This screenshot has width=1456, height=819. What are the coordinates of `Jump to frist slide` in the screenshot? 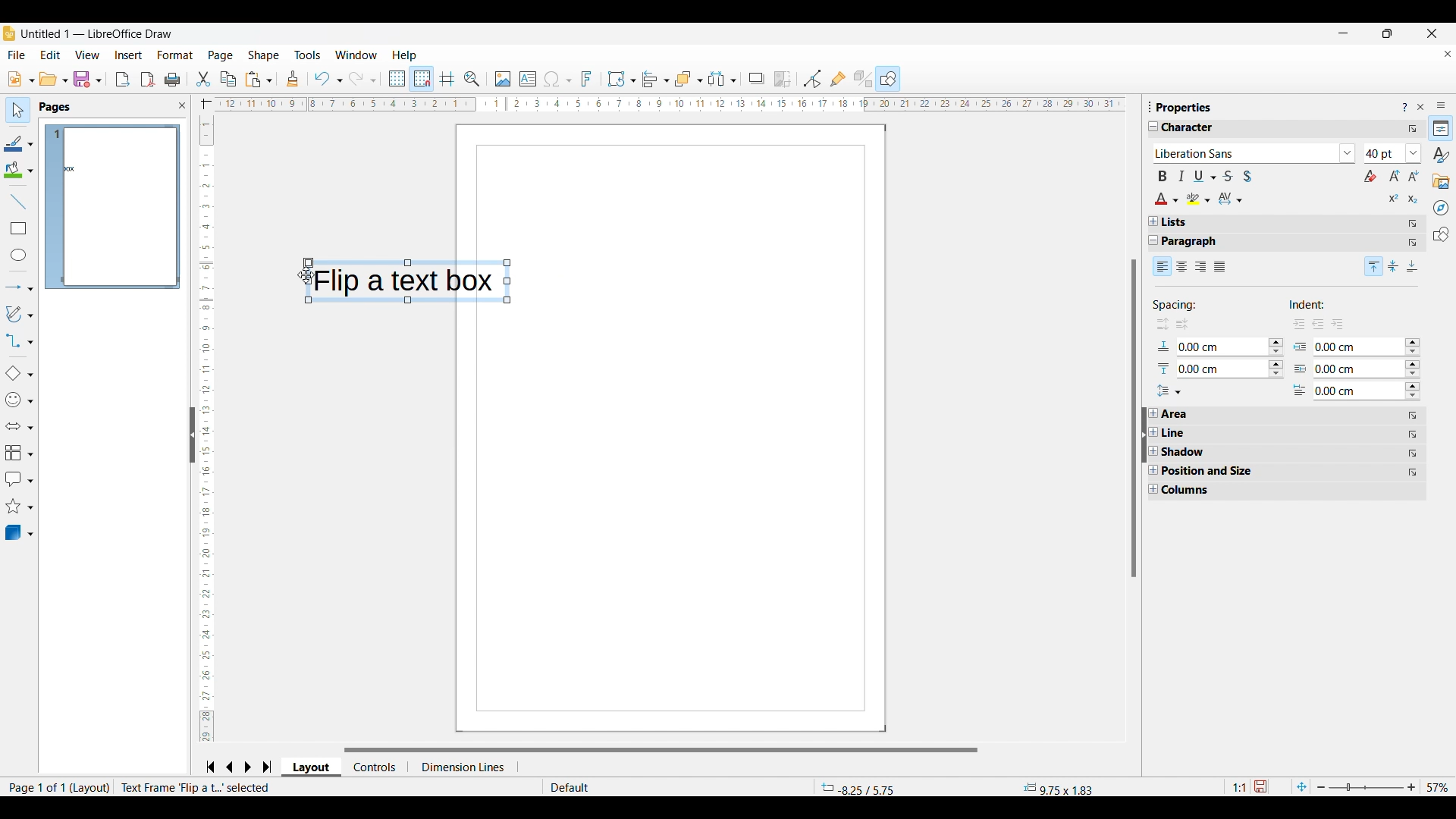 It's located at (210, 767).